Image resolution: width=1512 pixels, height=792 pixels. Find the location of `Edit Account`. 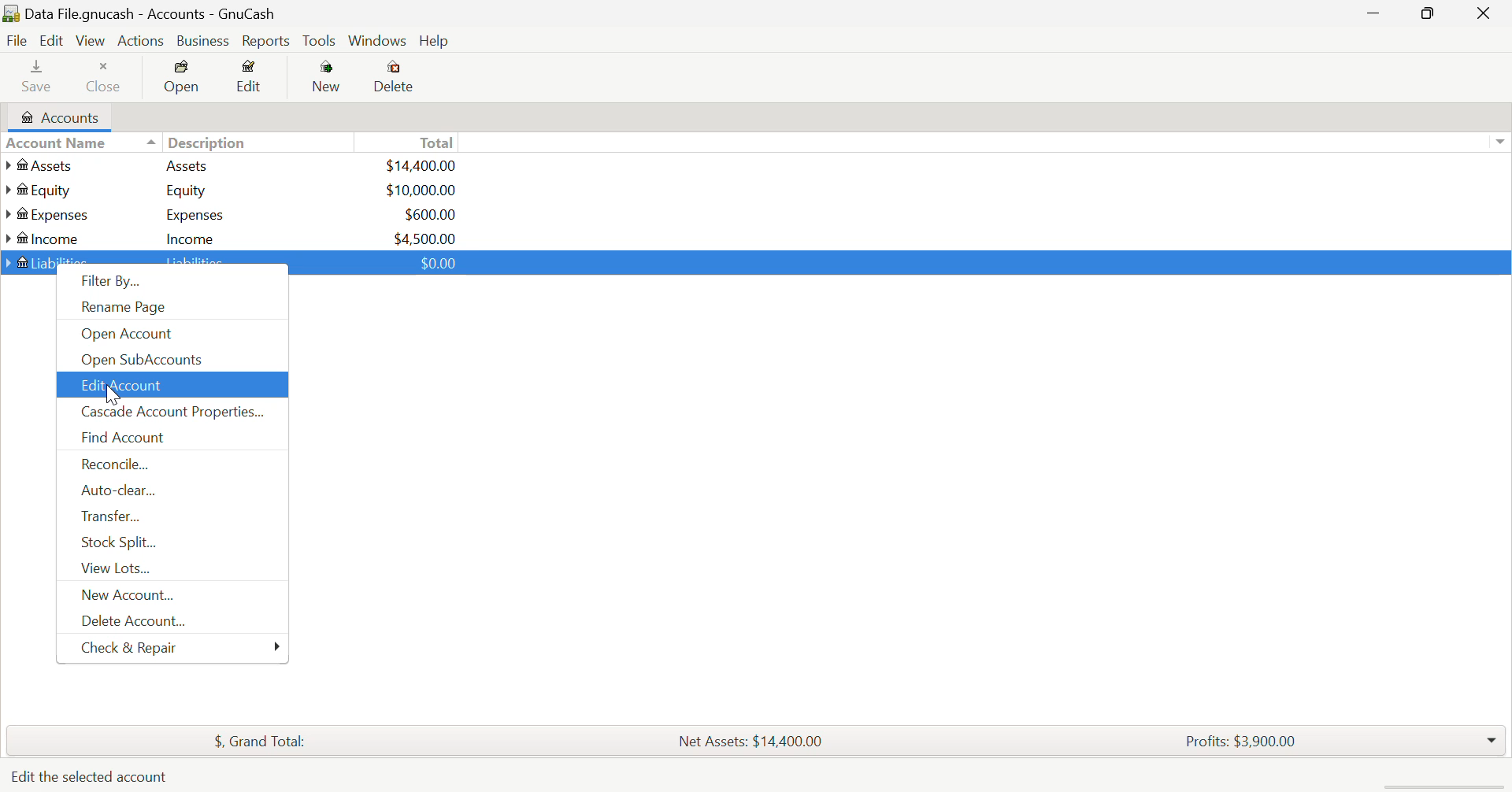

Edit Account is located at coordinates (171, 385).